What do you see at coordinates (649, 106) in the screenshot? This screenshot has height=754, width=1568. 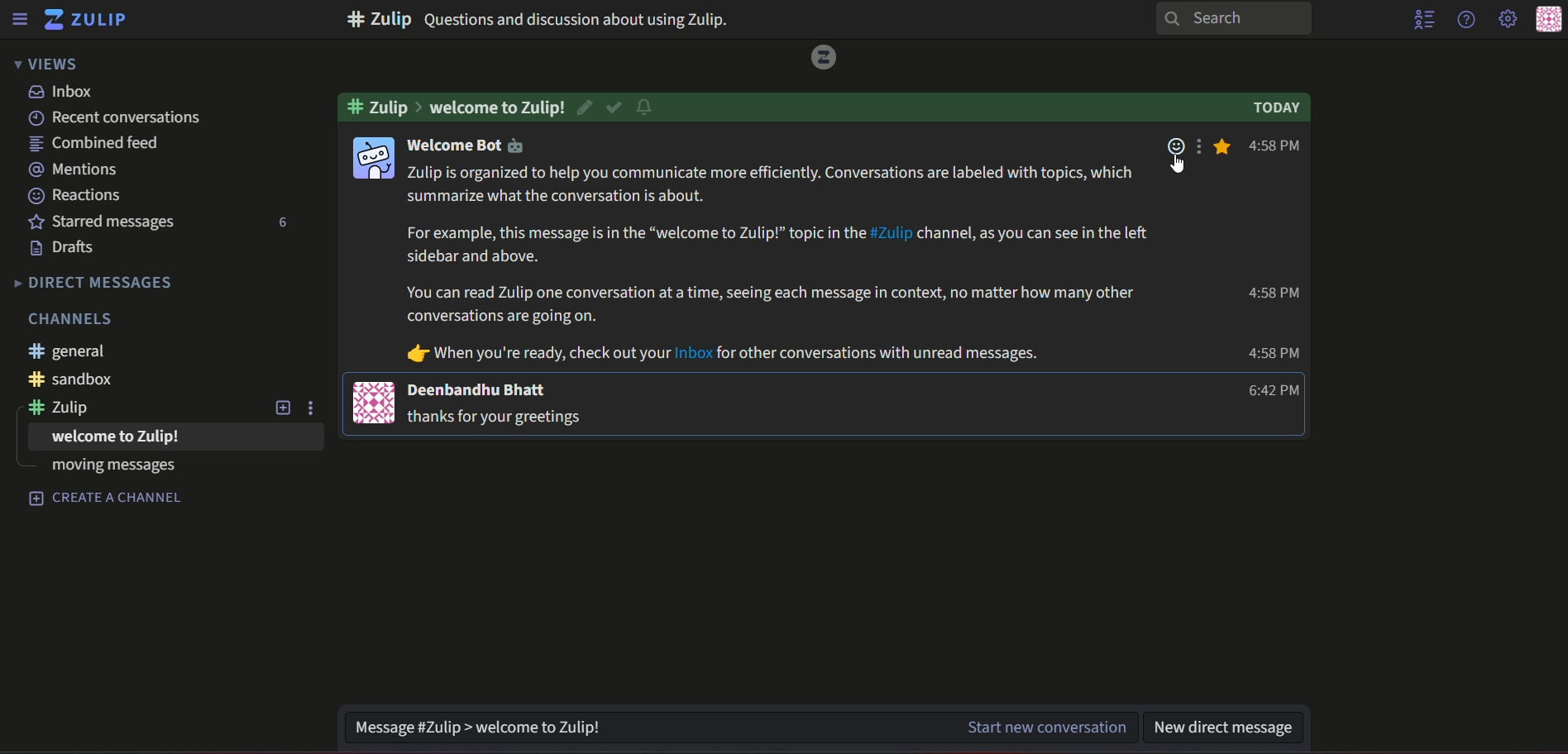 I see `notification` at bounding box center [649, 106].